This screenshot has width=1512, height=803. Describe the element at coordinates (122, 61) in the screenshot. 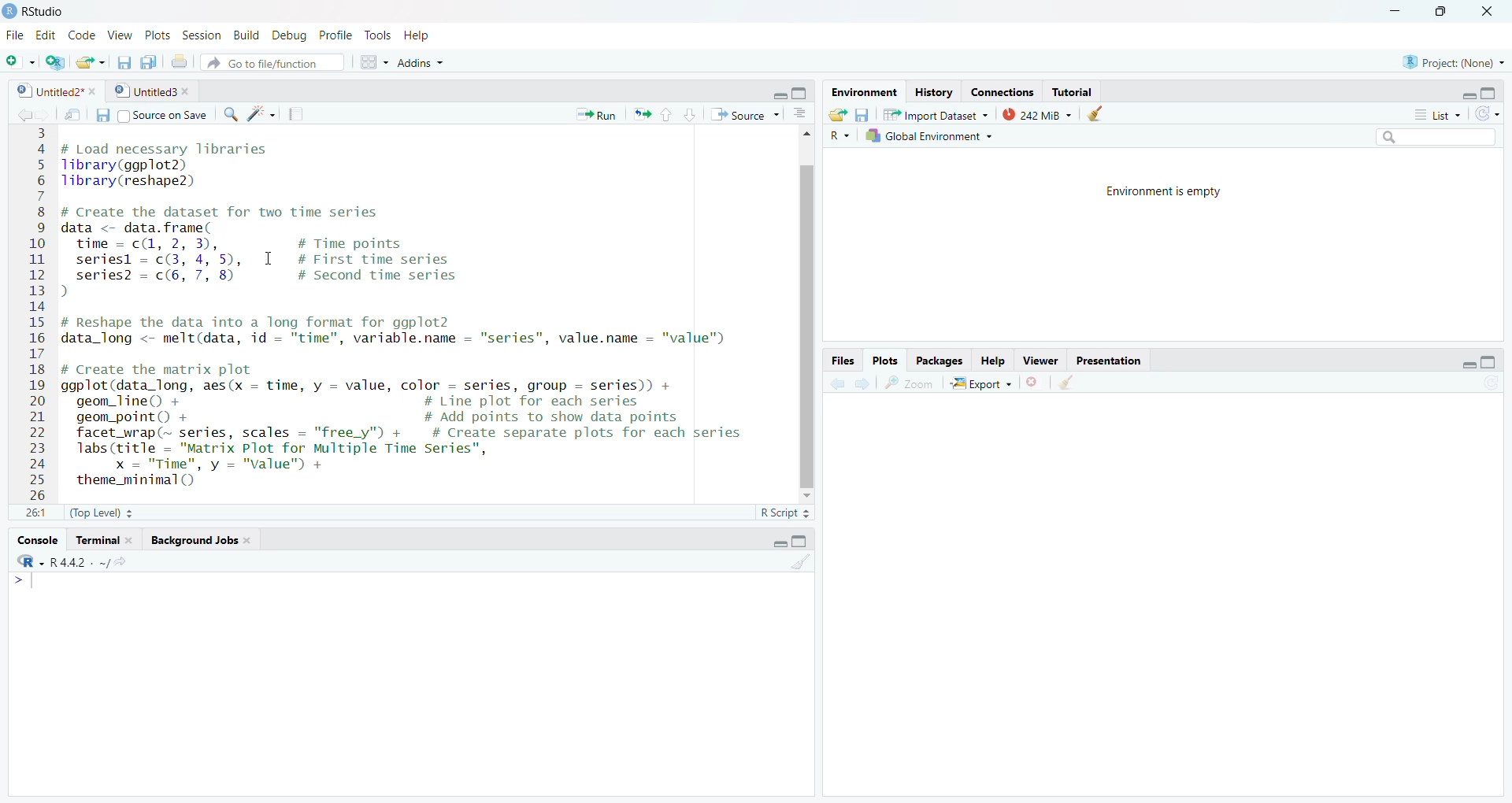

I see `save current document` at that location.